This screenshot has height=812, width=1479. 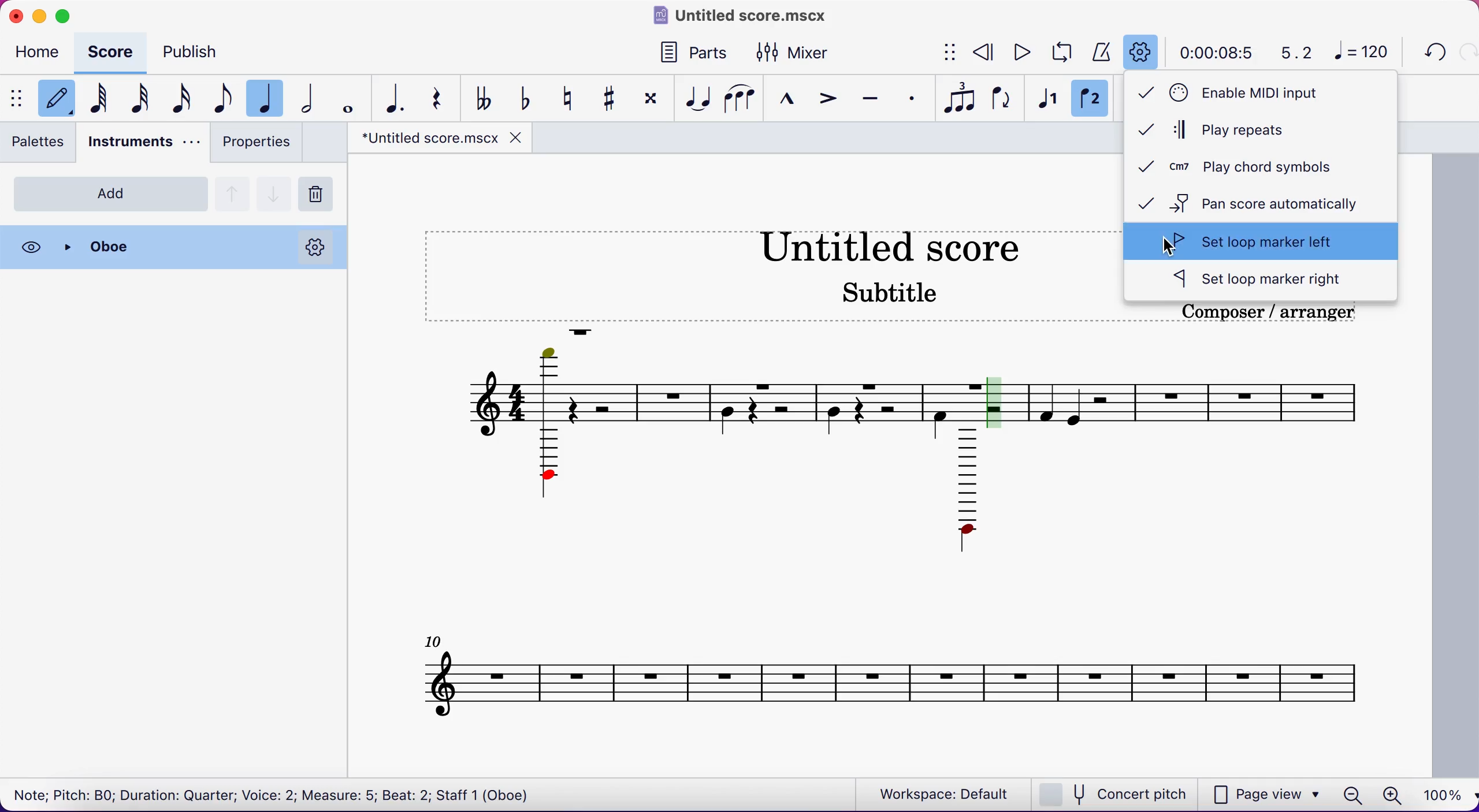 What do you see at coordinates (741, 99) in the screenshot?
I see `slur` at bounding box center [741, 99].